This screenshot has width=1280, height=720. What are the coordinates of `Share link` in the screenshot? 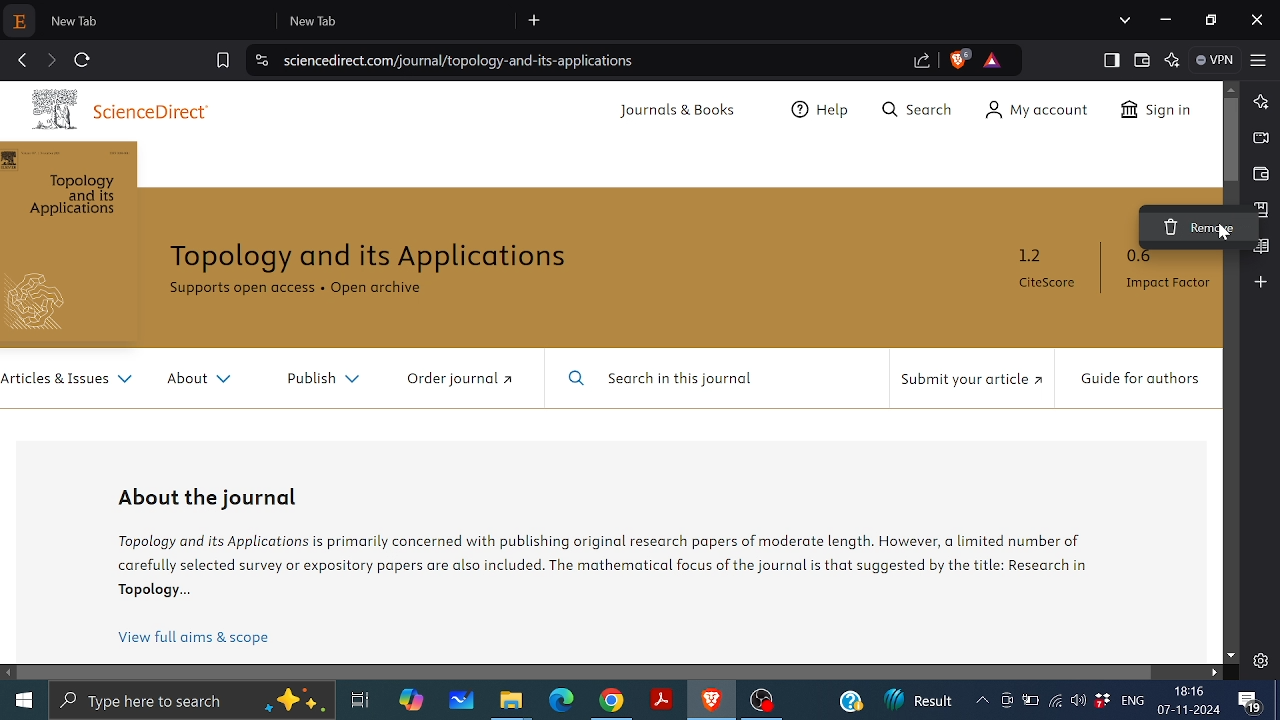 It's located at (922, 62).